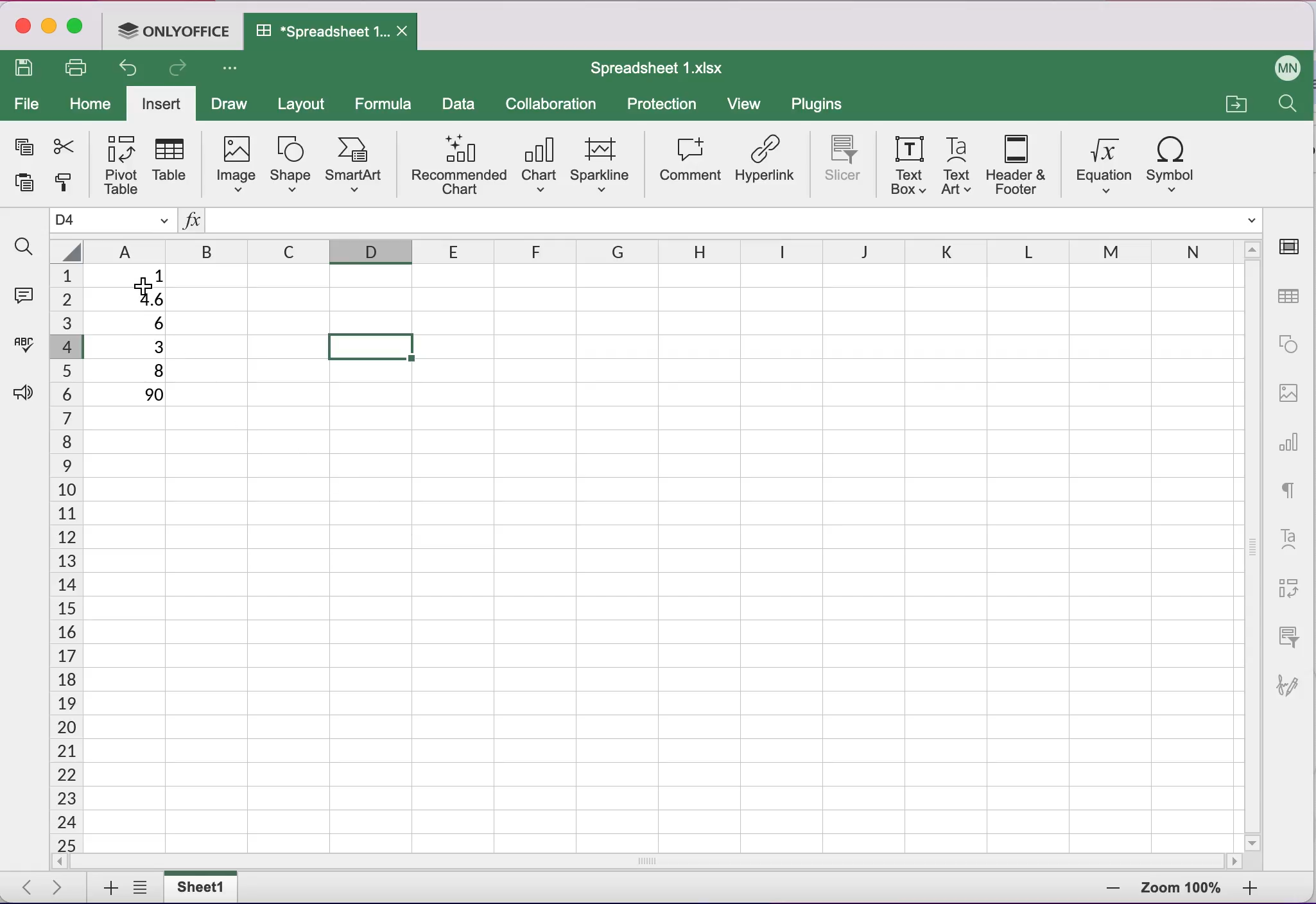  What do you see at coordinates (30, 104) in the screenshot?
I see `file` at bounding box center [30, 104].